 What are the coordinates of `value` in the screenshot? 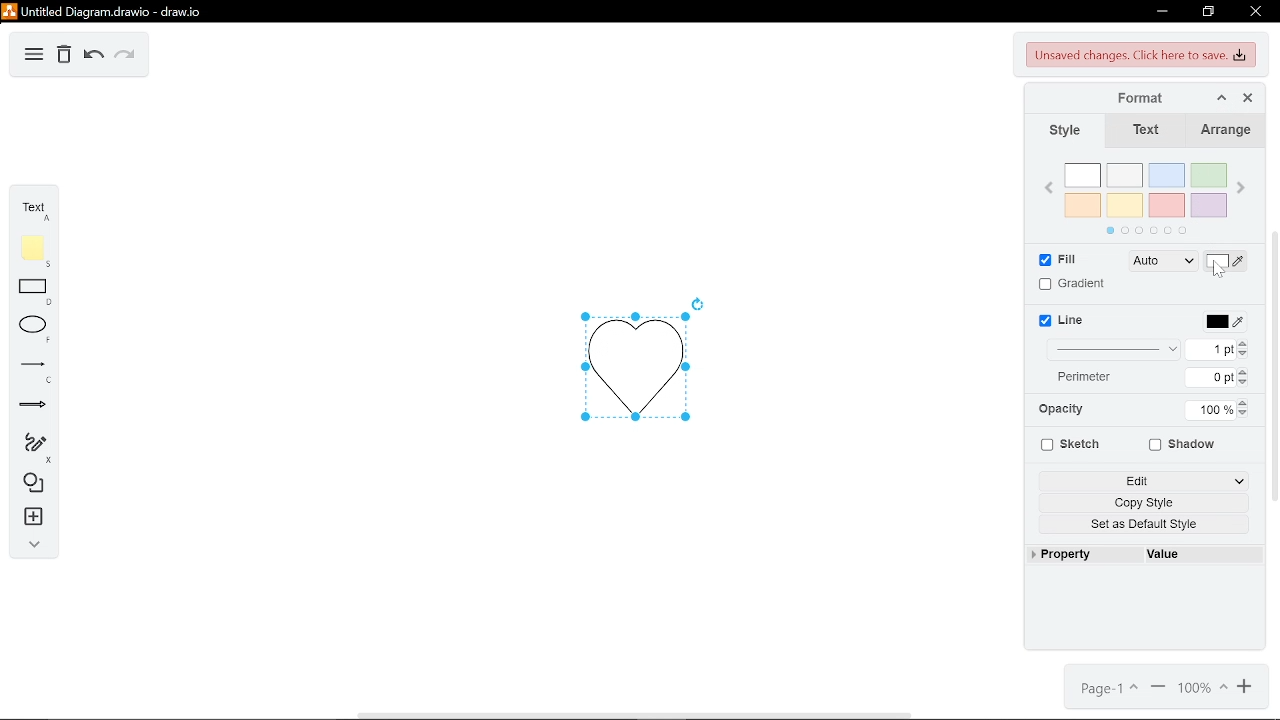 It's located at (1167, 553).